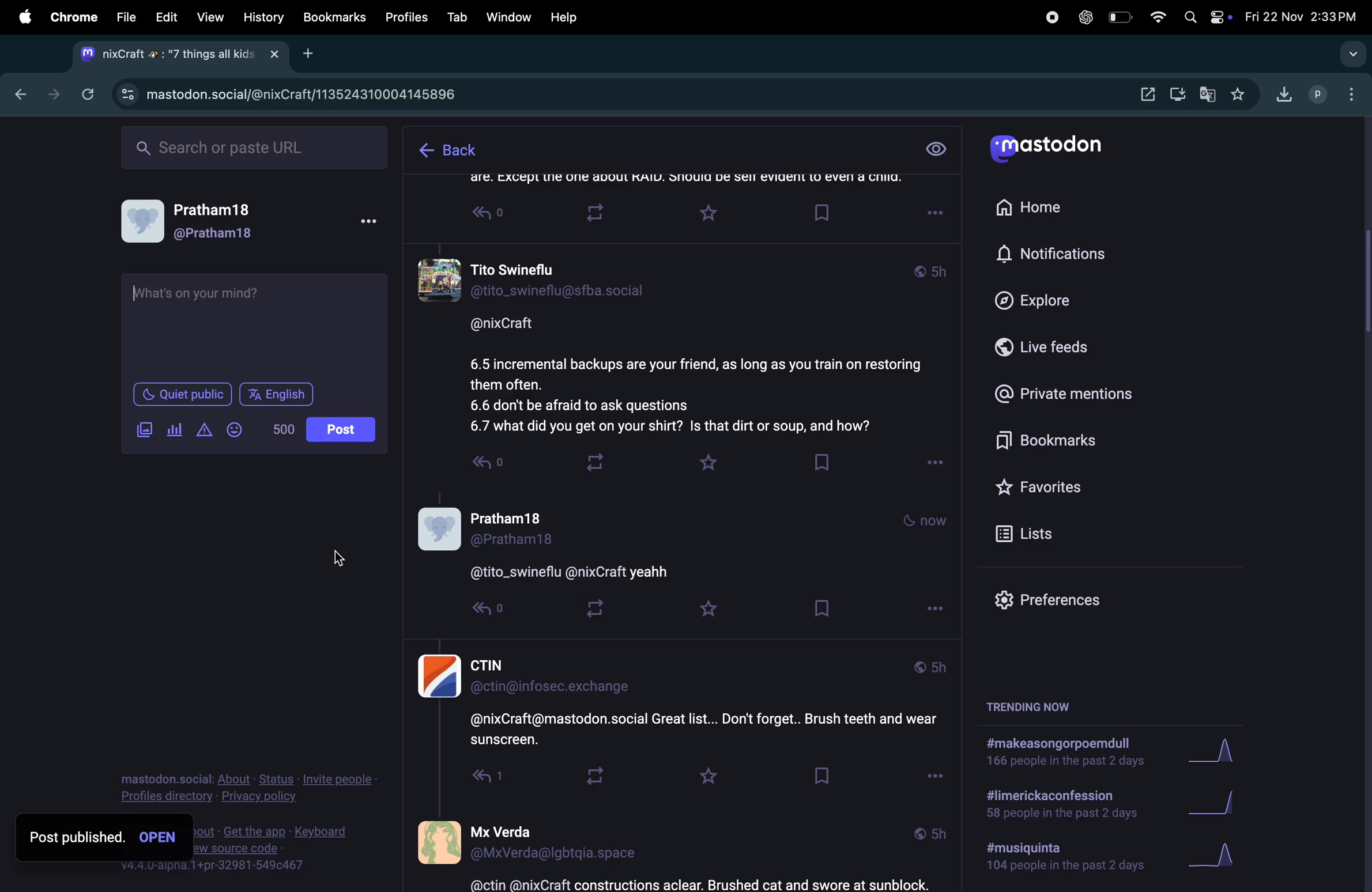 The image size is (1372, 892). Describe the element at coordinates (1038, 708) in the screenshot. I see `tending now` at that location.